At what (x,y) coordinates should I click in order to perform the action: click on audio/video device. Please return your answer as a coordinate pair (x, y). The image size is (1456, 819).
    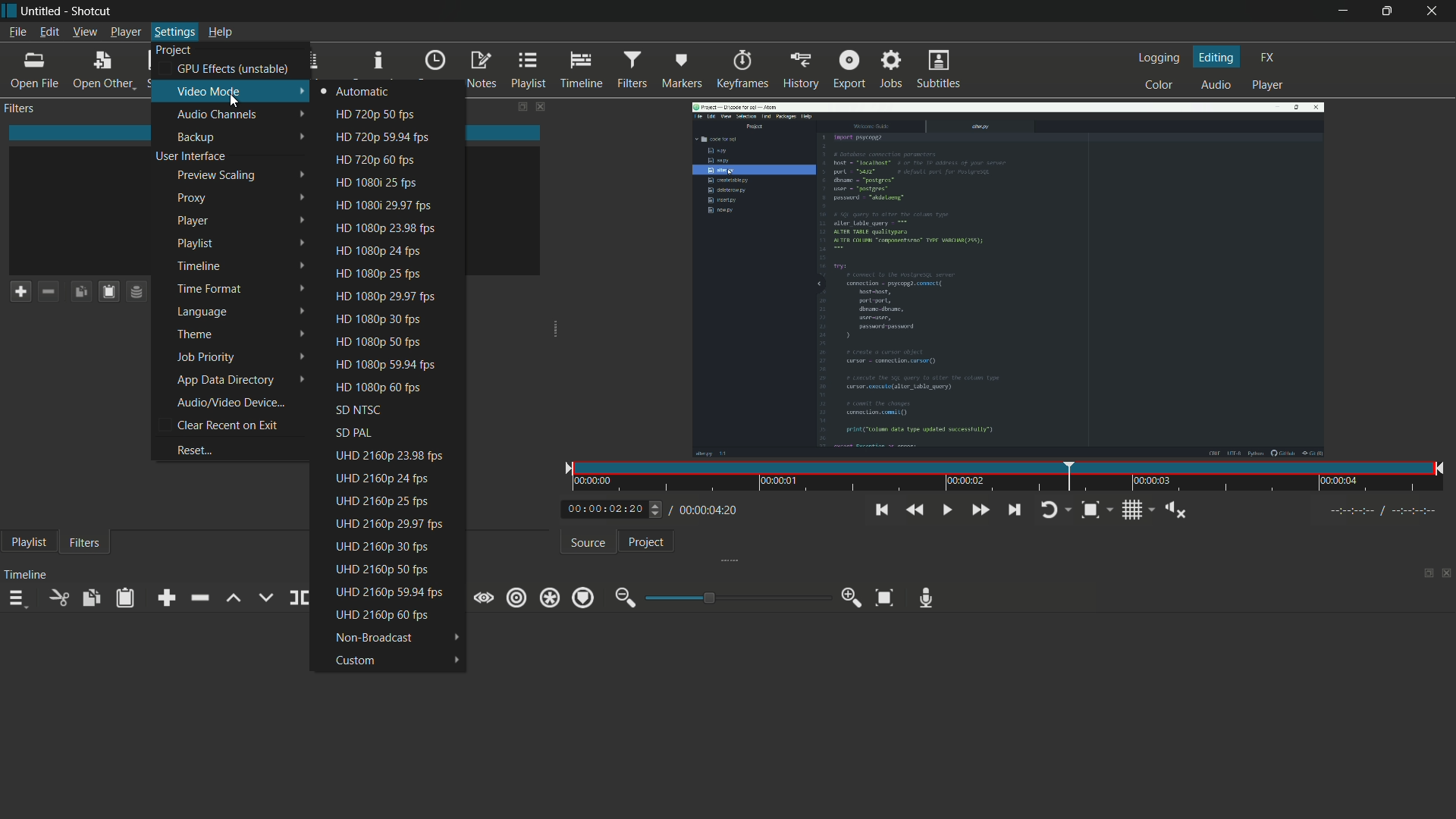
    Looking at the image, I should click on (243, 402).